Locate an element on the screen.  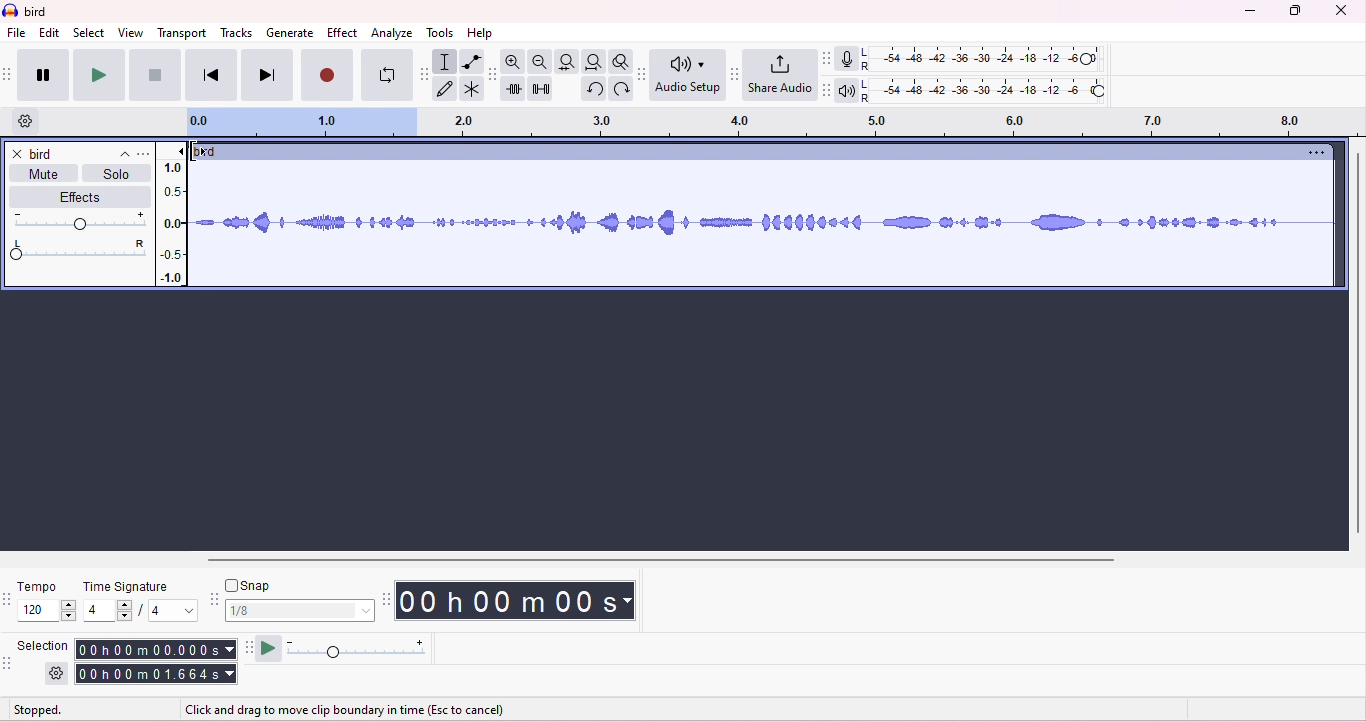
effect is located at coordinates (342, 32).